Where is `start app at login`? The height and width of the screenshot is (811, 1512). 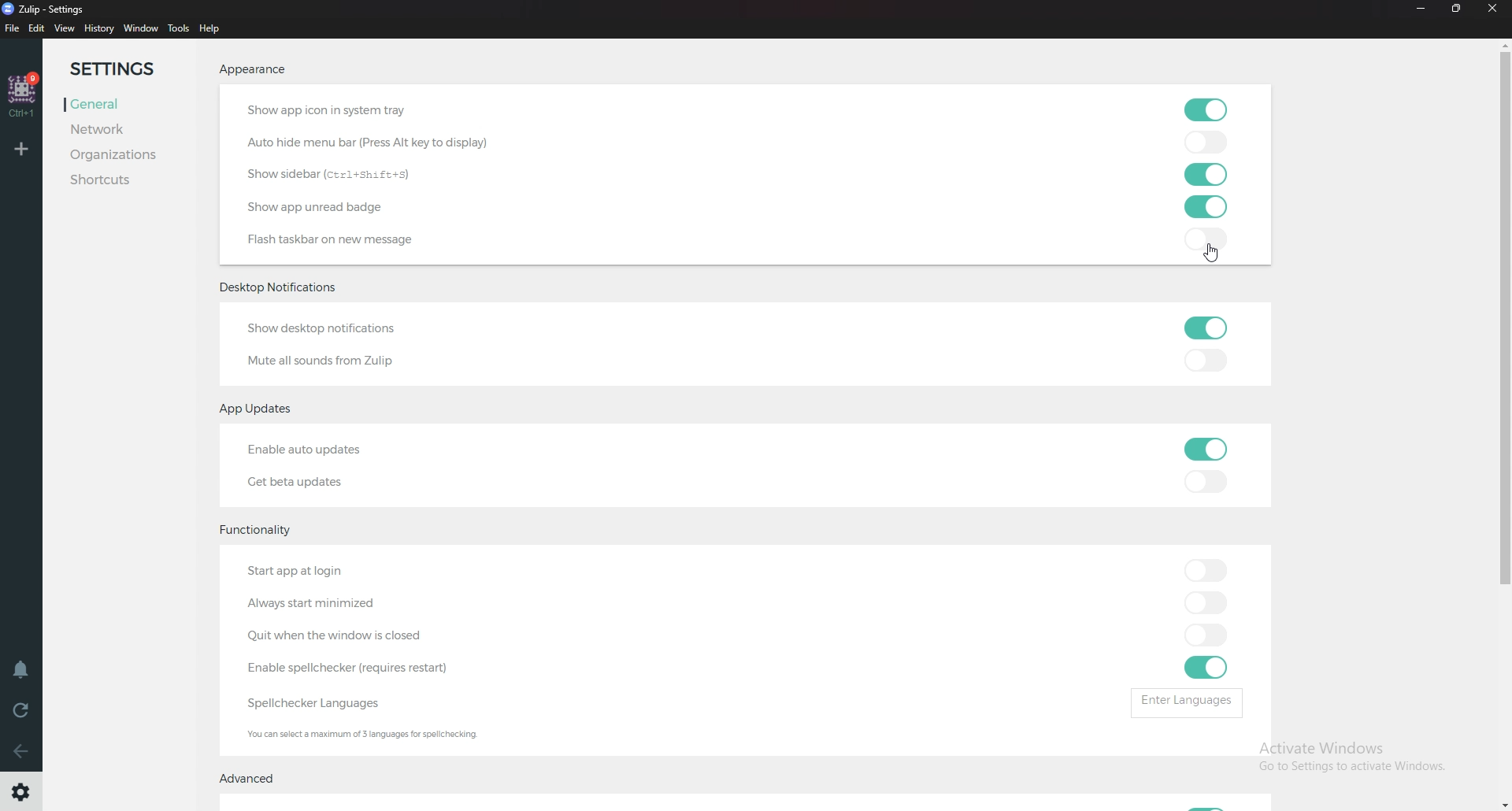 start app at login is located at coordinates (332, 573).